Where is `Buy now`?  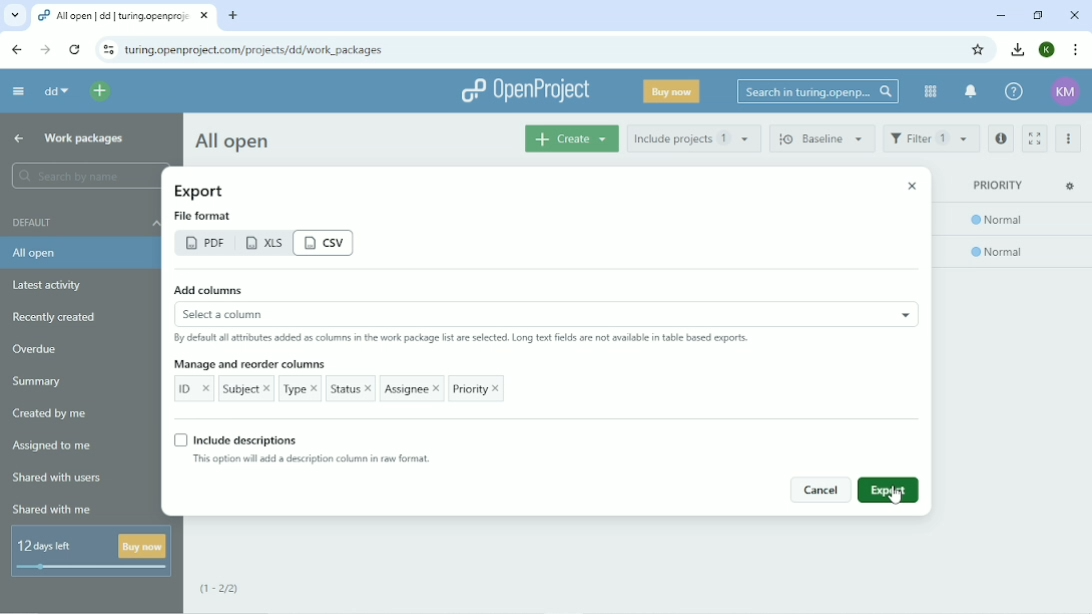 Buy now is located at coordinates (673, 91).